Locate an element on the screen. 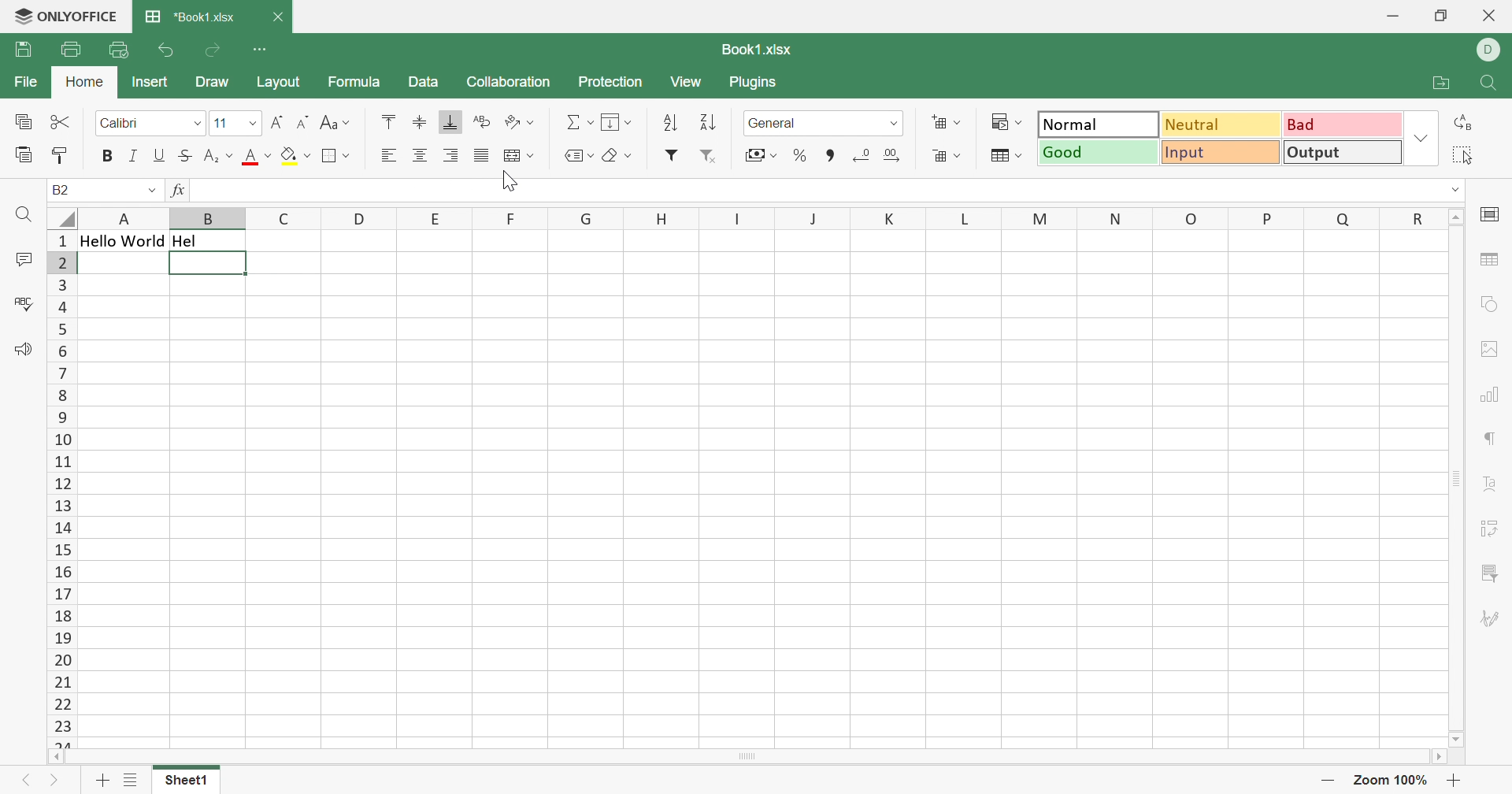  Font color is located at coordinates (258, 157).